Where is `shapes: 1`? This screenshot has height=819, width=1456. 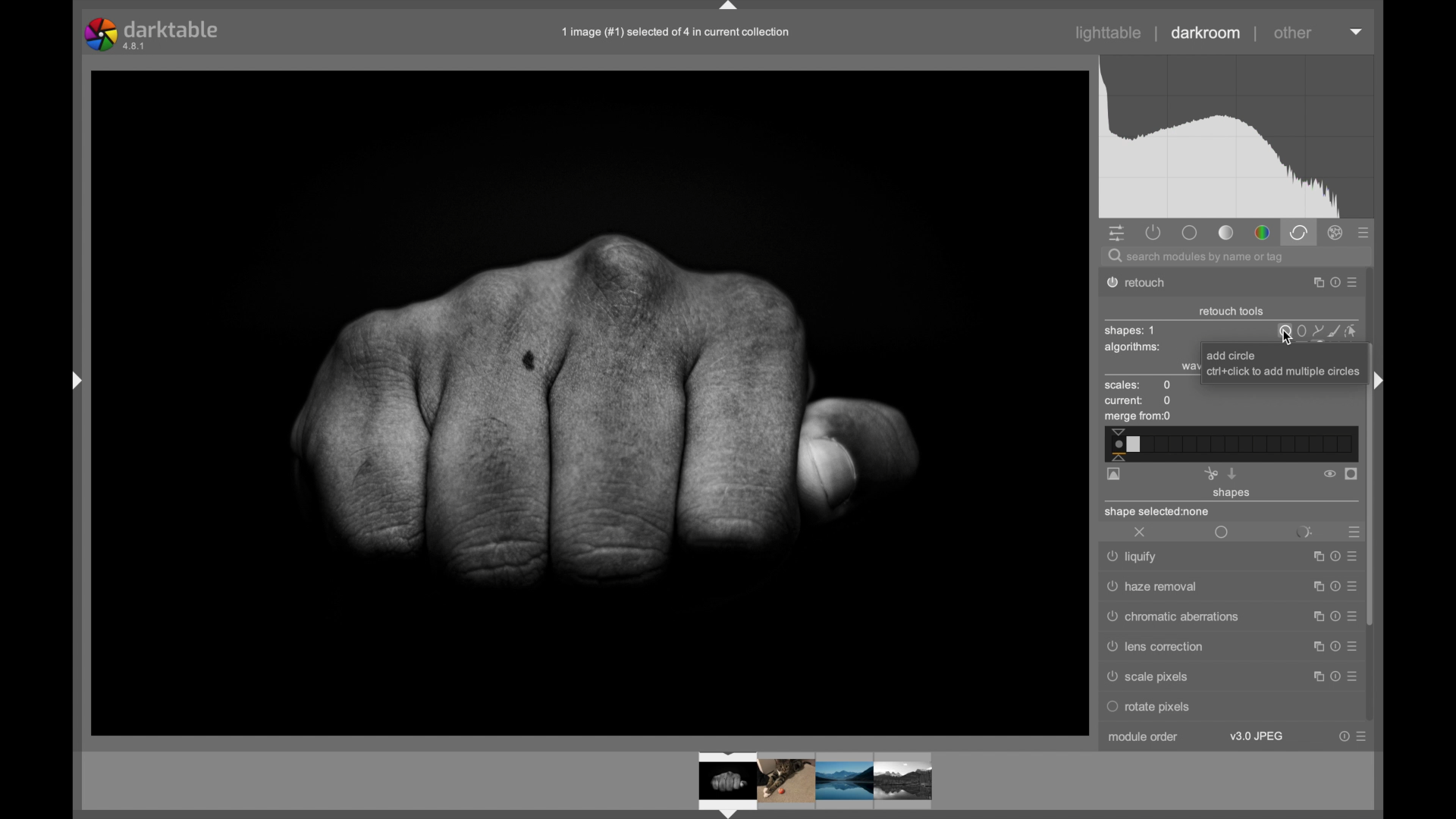 shapes: 1 is located at coordinates (1129, 331).